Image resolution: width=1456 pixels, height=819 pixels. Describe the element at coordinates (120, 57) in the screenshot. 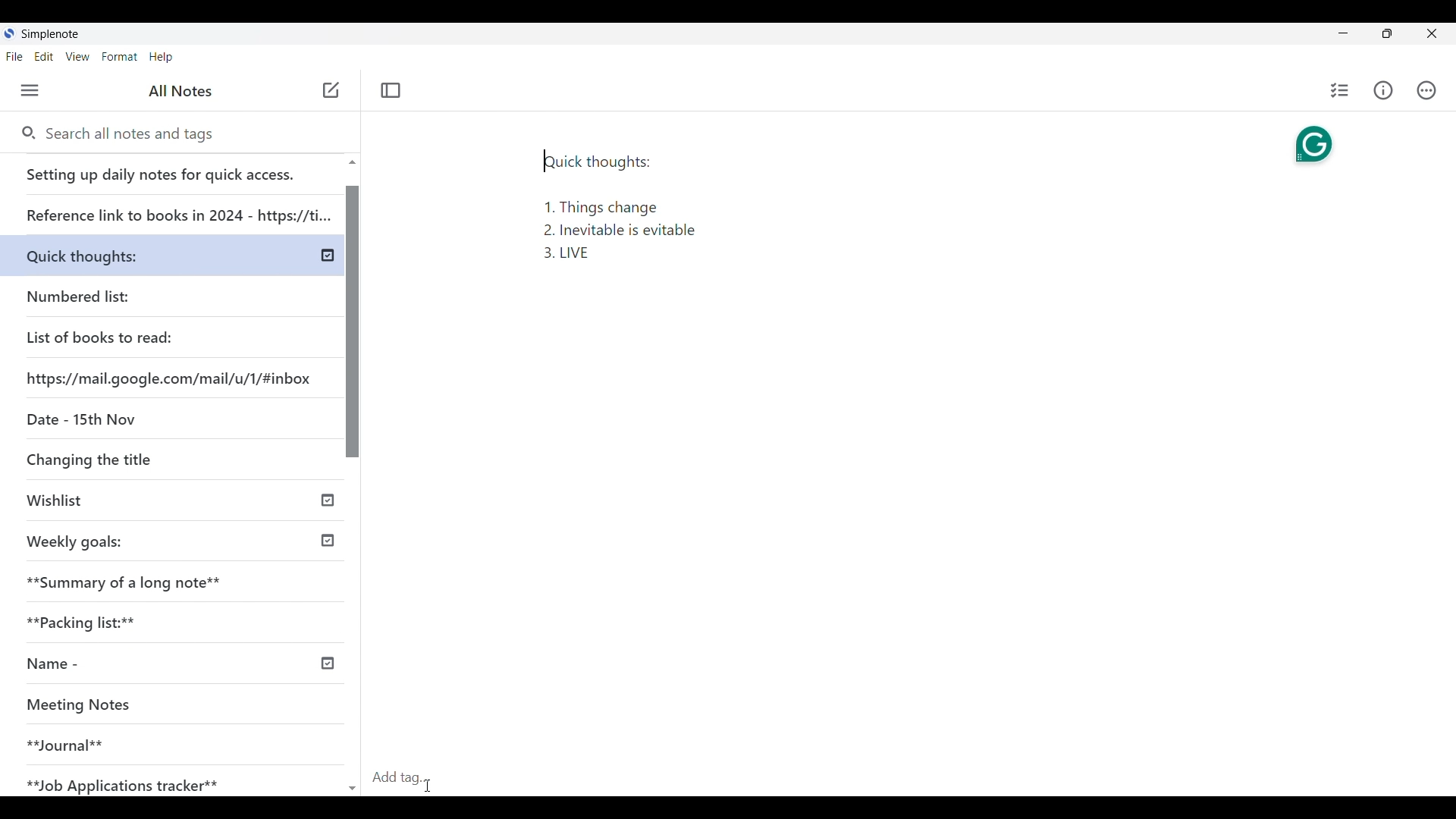

I see `Format menu` at that location.